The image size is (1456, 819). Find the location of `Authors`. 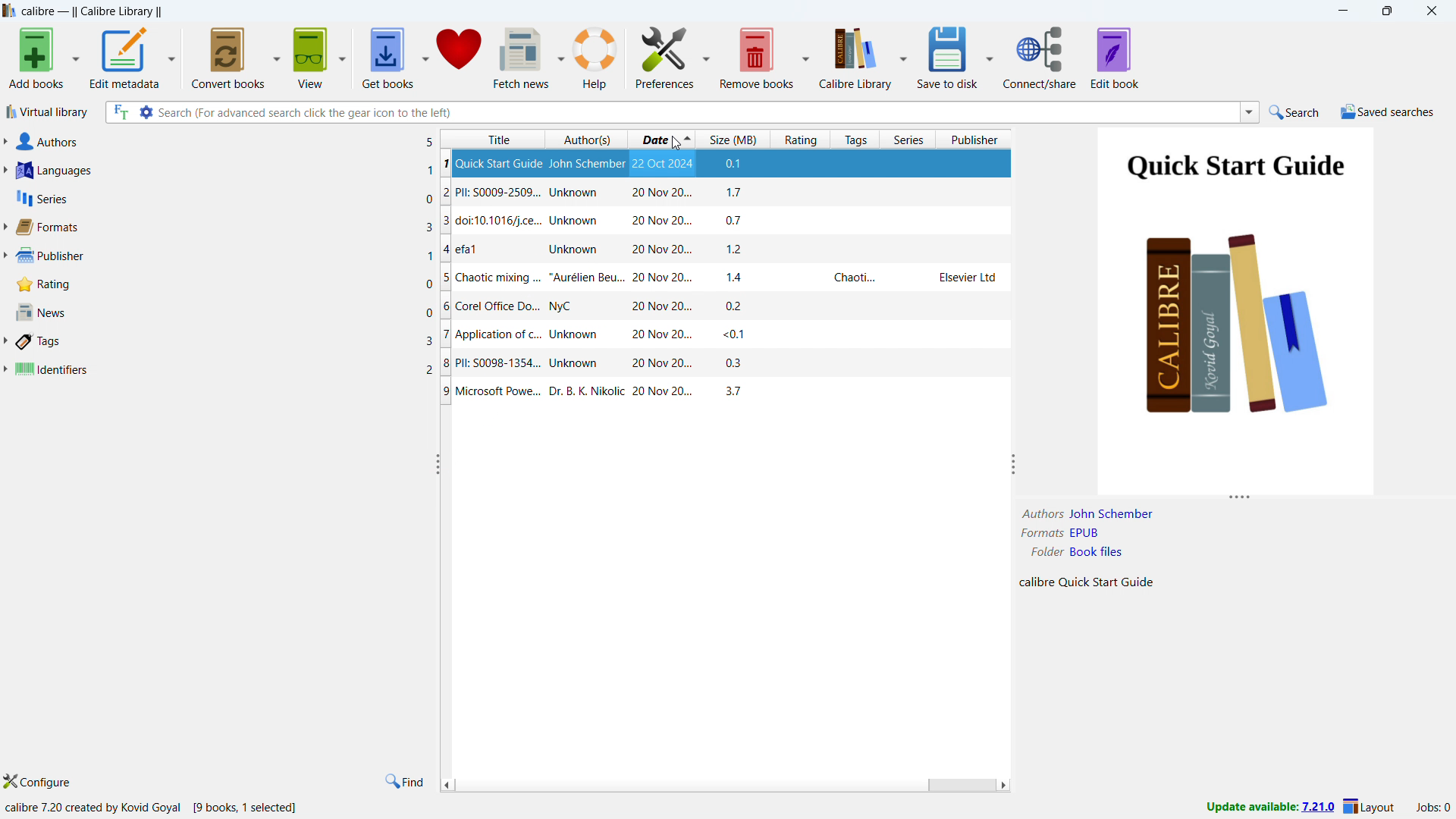

Authors is located at coordinates (1037, 513).